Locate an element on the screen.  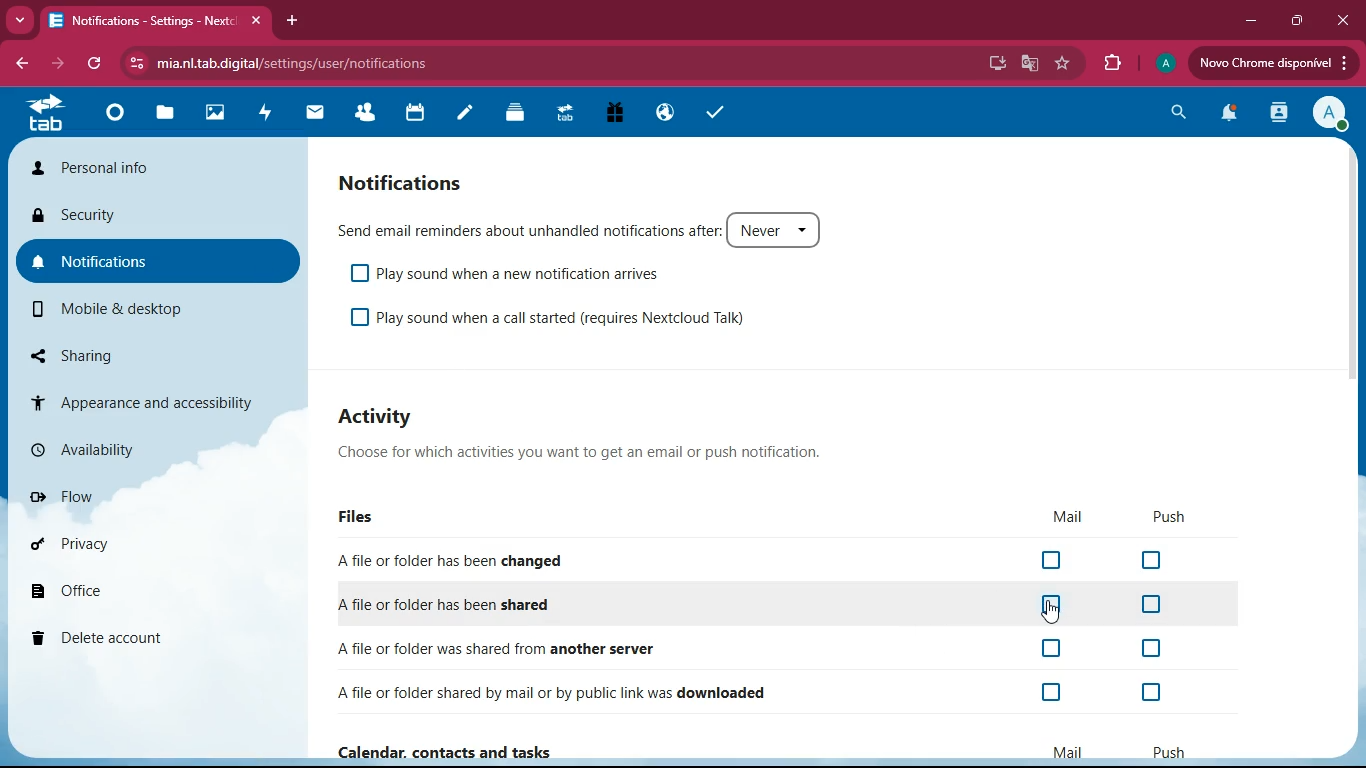
desktop is located at coordinates (992, 65).